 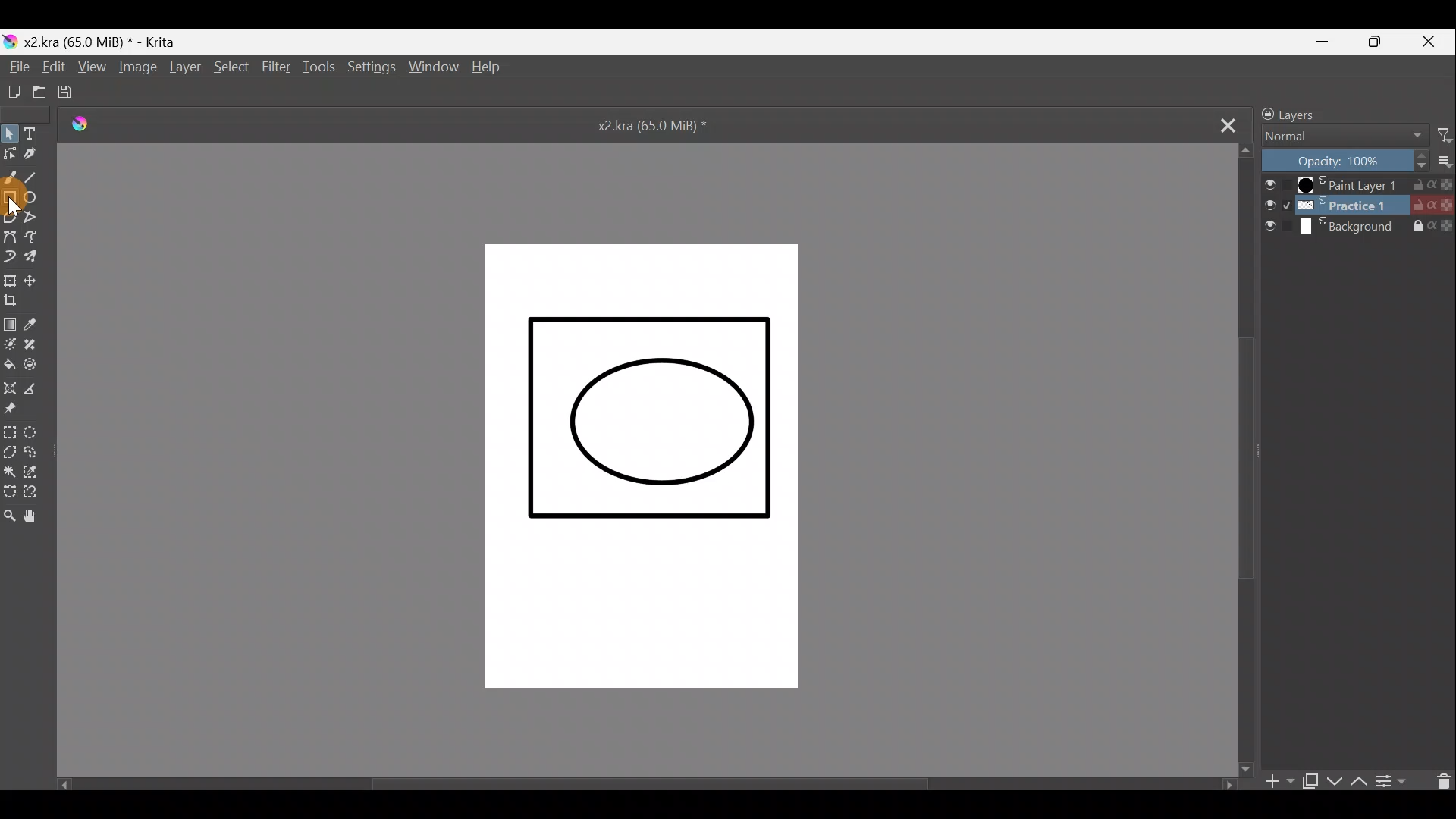 I want to click on Krita logo, so click(x=9, y=41).